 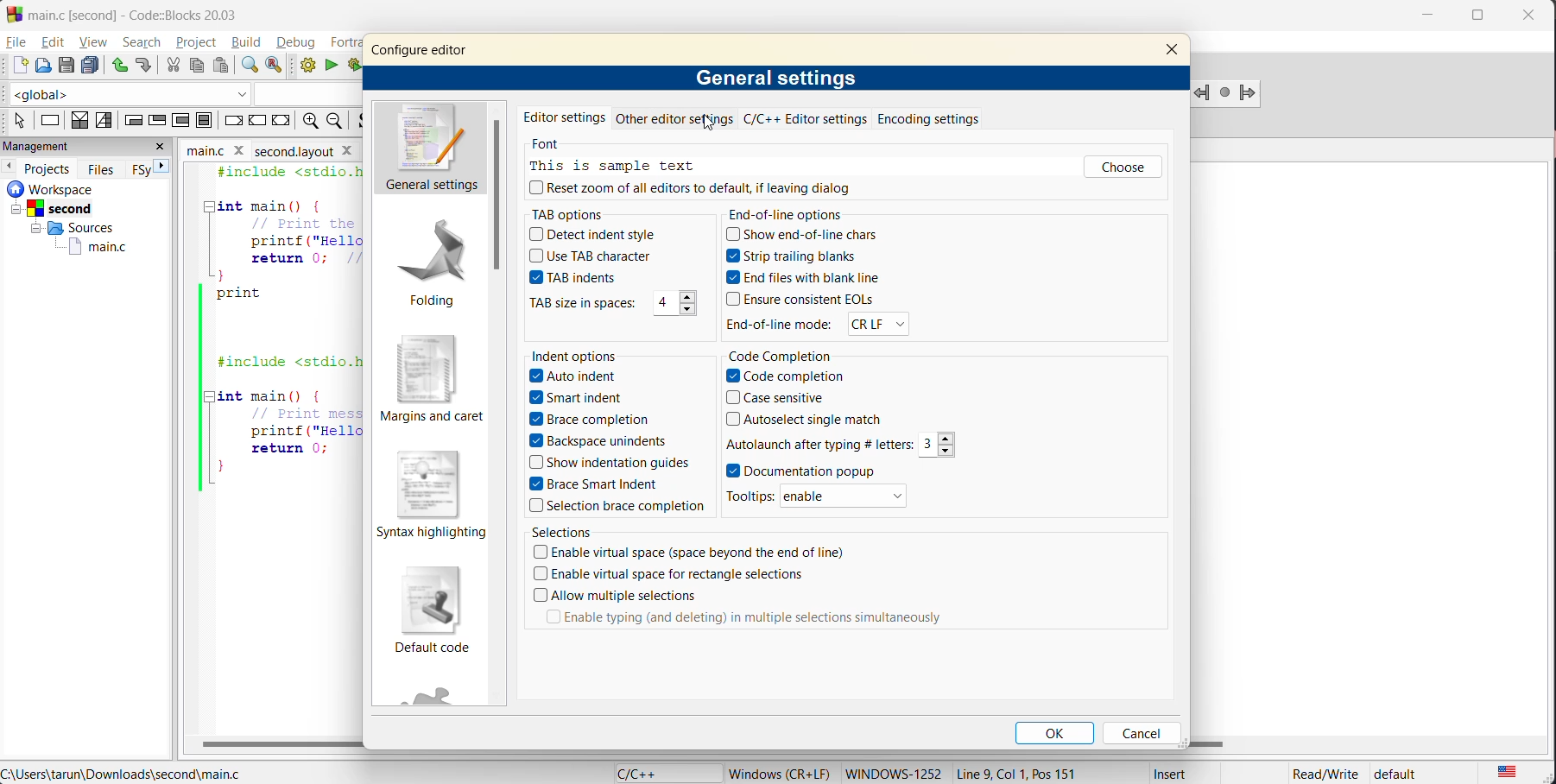 I want to click on counting loop, so click(x=178, y=119).